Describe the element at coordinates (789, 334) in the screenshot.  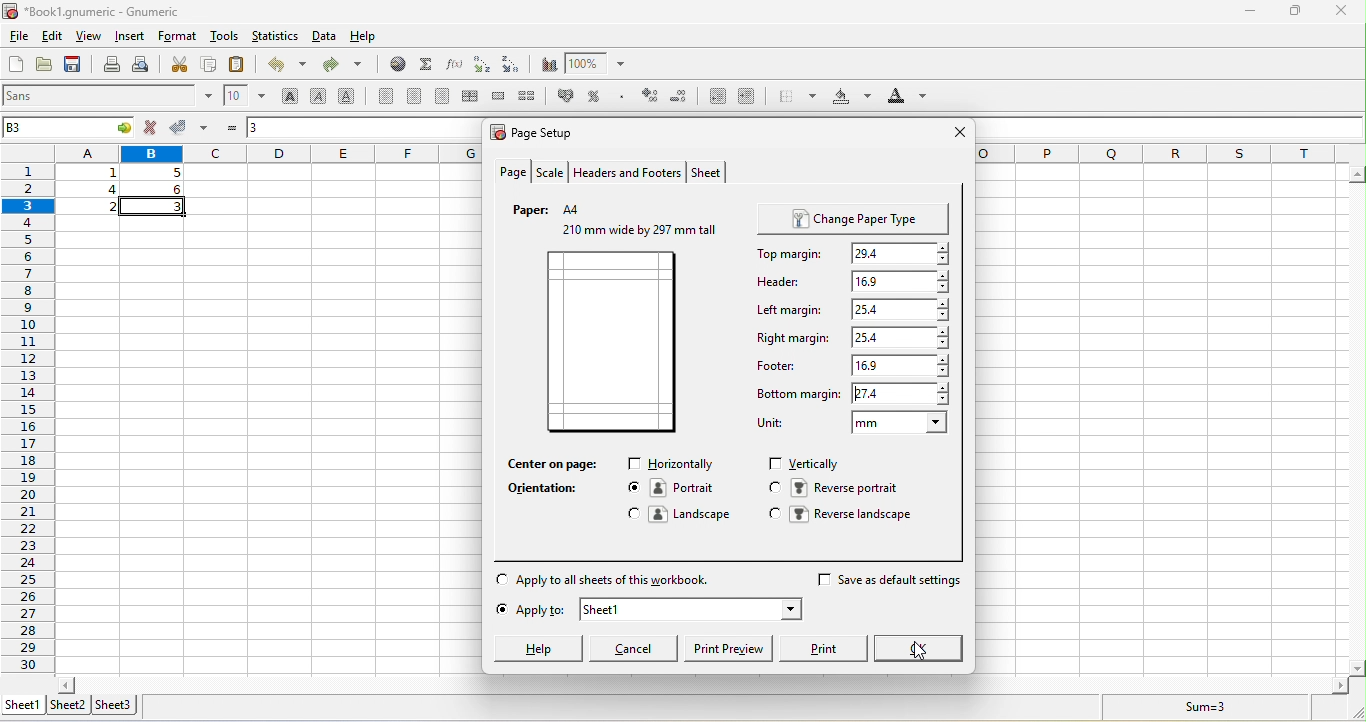
I see `right margine` at that location.